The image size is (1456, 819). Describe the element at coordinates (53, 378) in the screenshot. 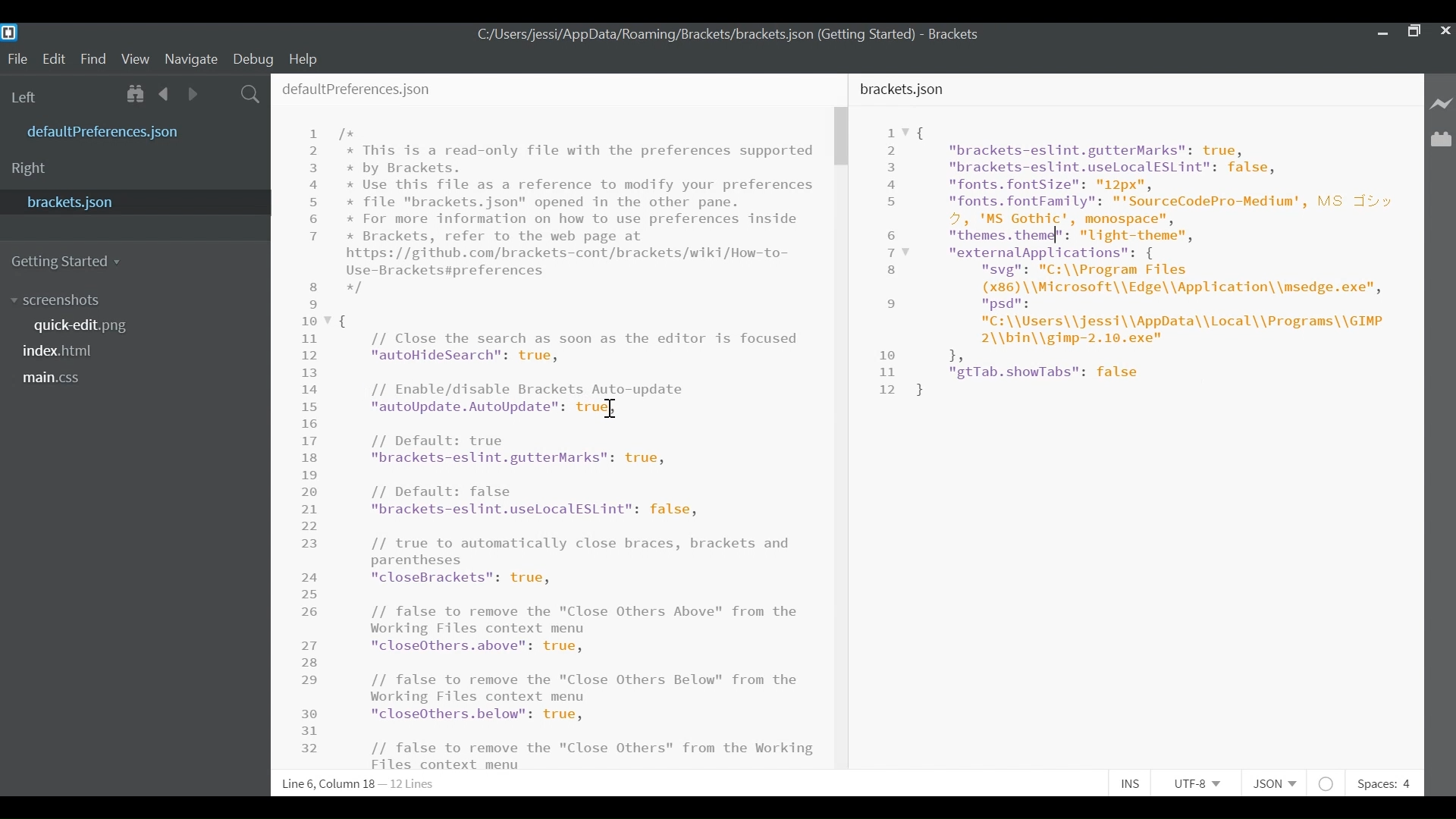

I see `main.css` at that location.